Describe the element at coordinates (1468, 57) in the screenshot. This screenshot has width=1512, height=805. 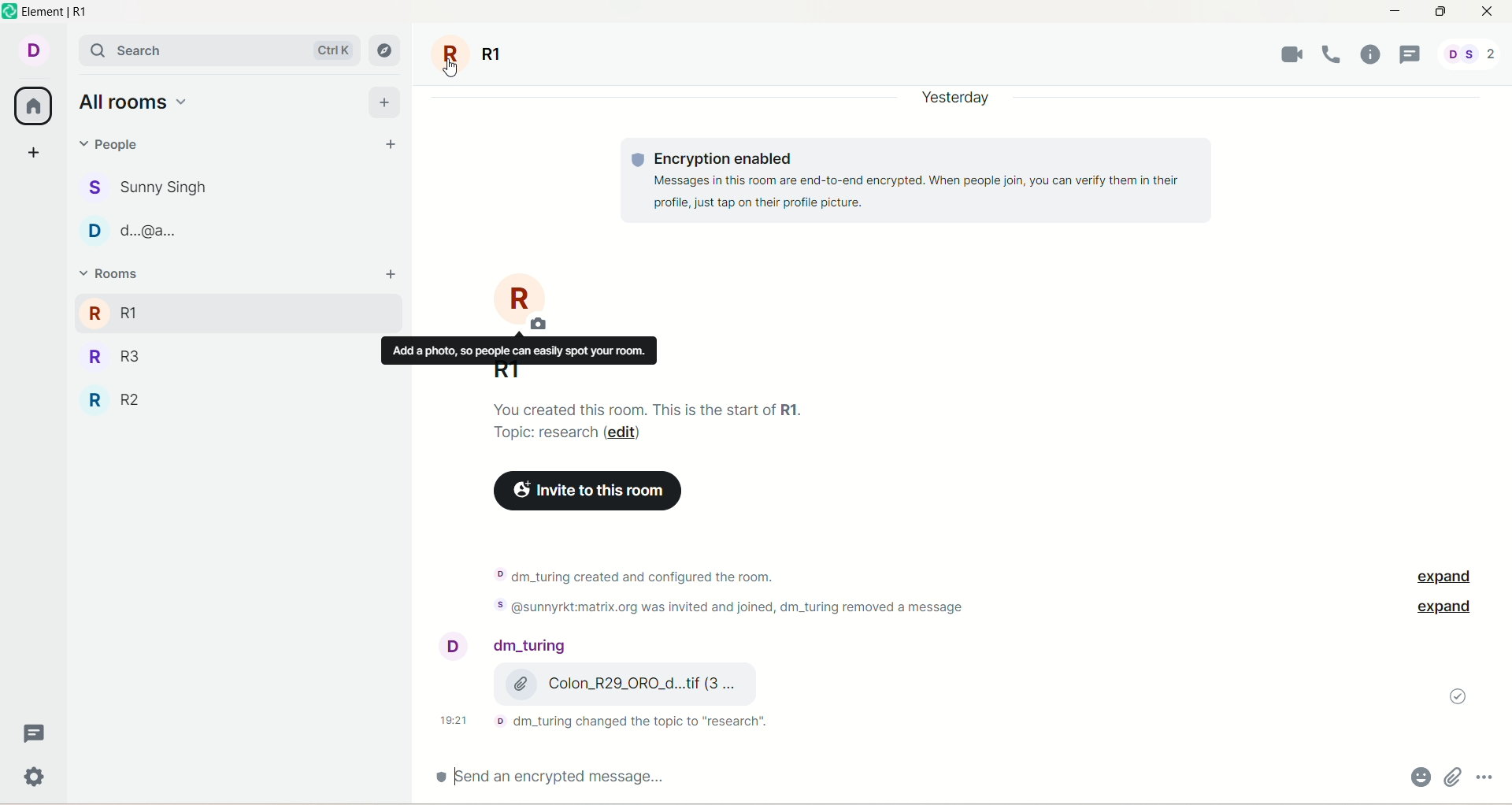
I see `account` at that location.